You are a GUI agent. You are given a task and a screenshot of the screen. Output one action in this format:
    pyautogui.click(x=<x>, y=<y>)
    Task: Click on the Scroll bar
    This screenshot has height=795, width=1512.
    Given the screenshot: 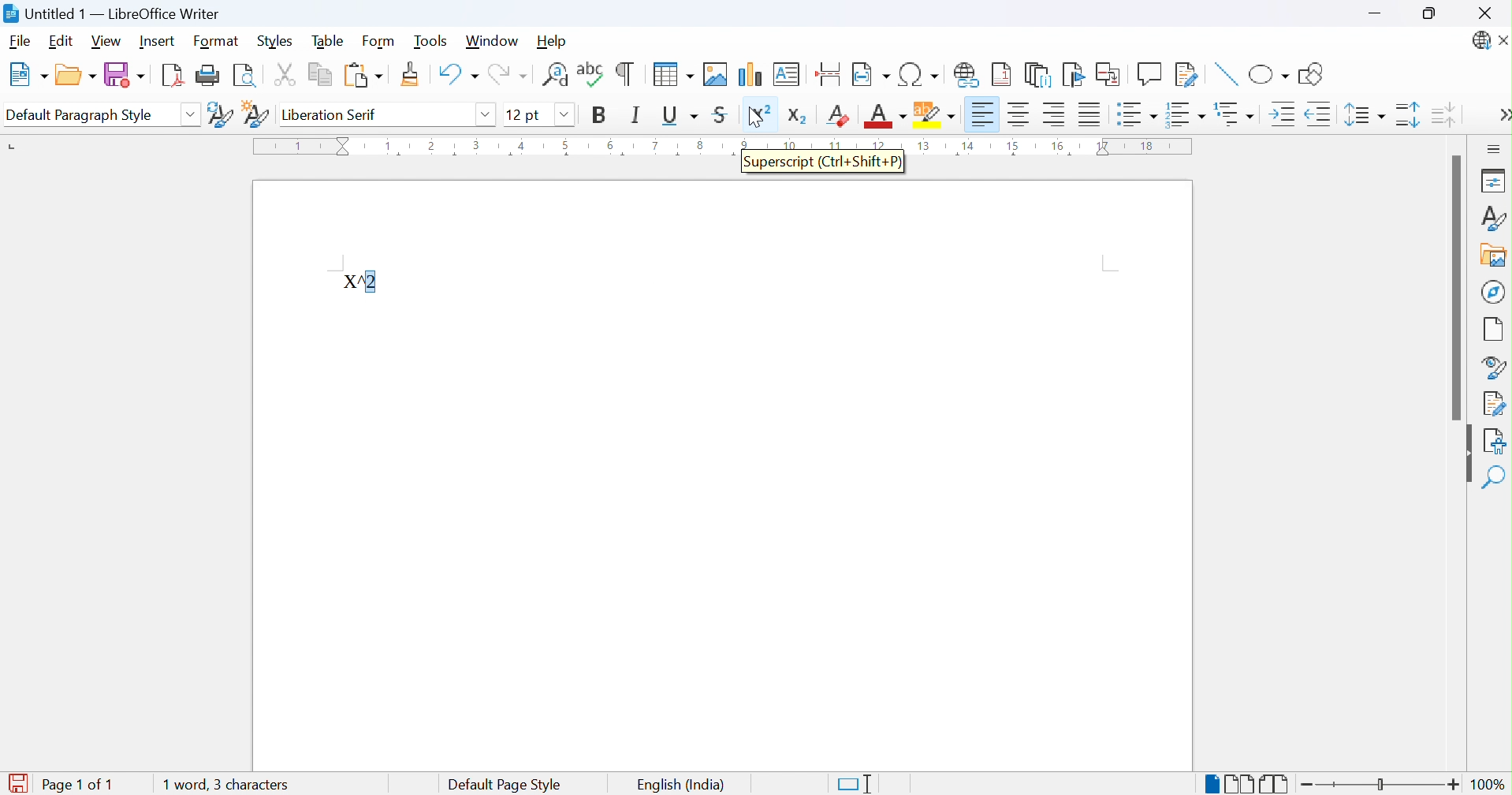 What is the action you would take?
    pyautogui.click(x=1458, y=285)
    